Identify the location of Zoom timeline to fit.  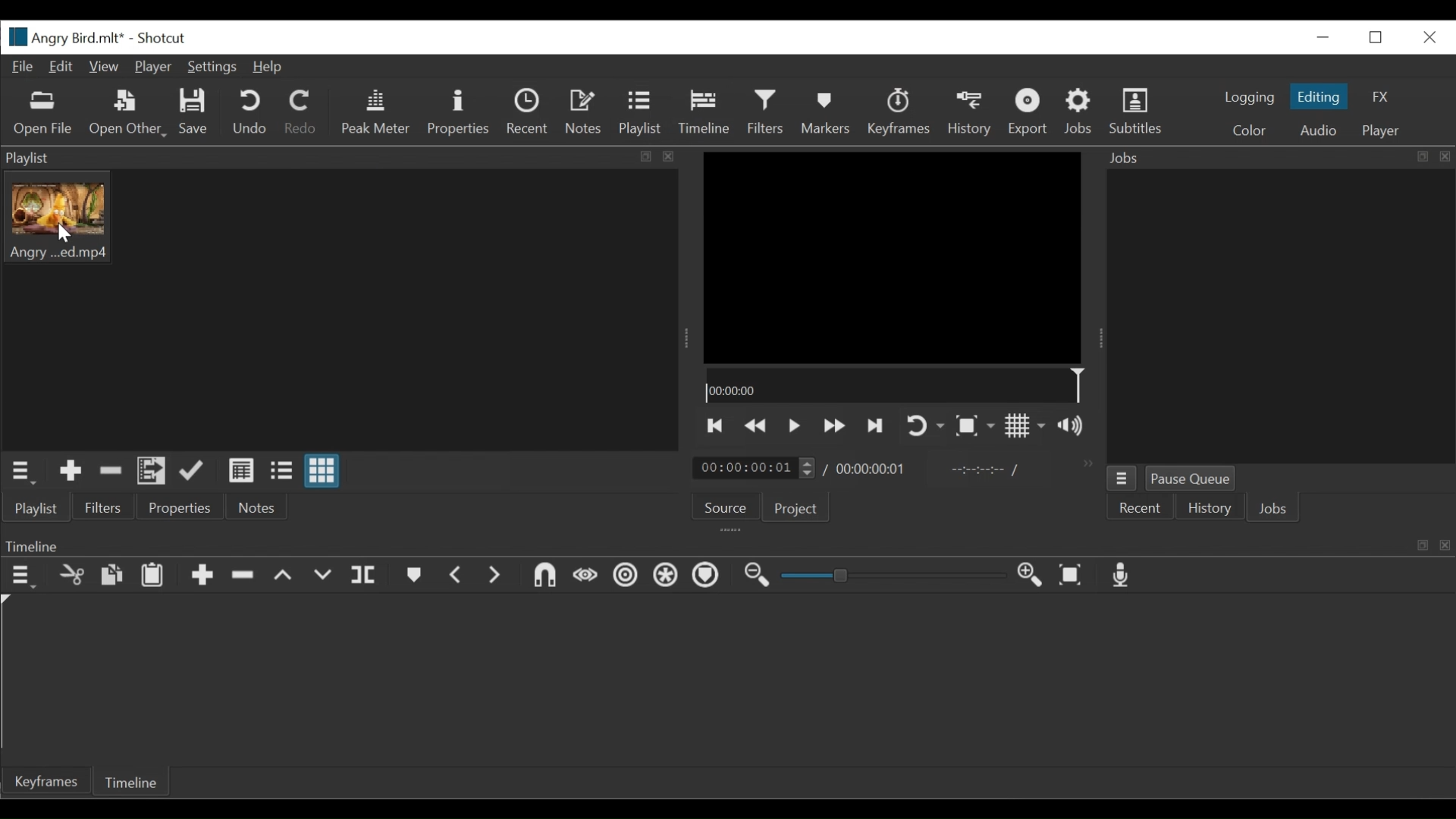
(1073, 575).